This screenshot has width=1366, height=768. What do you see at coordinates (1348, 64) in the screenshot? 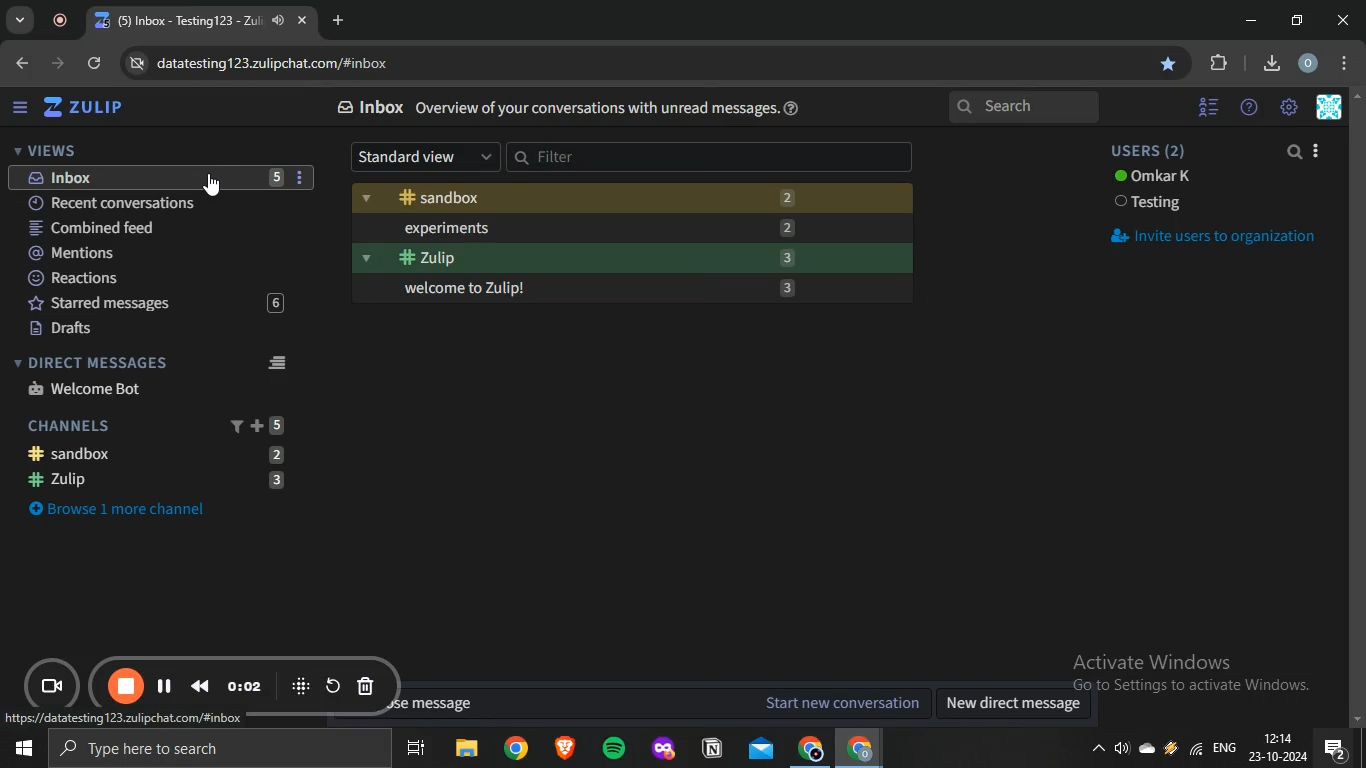
I see `settings menu` at bounding box center [1348, 64].